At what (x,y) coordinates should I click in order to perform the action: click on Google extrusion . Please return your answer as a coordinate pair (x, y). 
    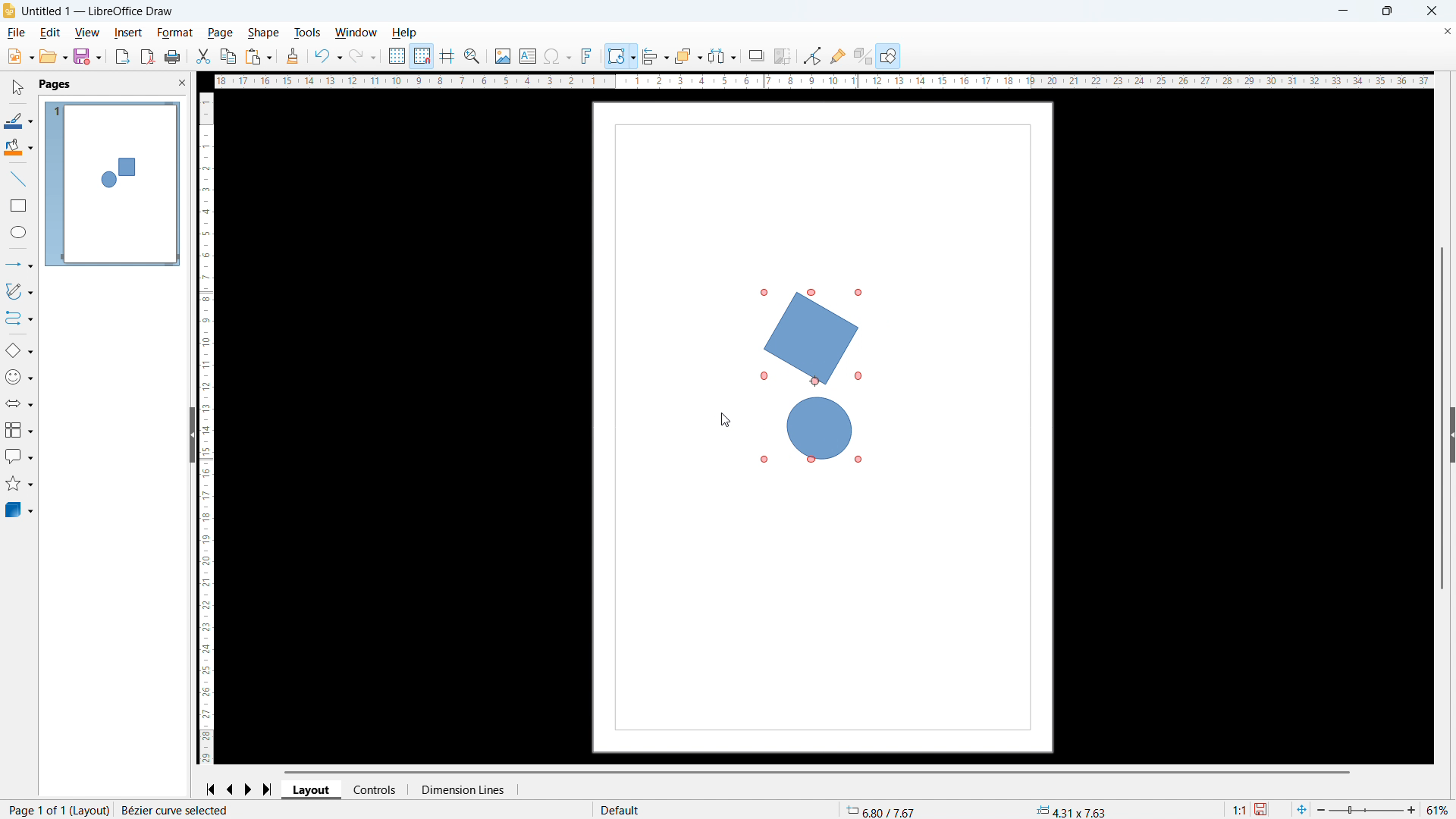
    Looking at the image, I should click on (862, 56).